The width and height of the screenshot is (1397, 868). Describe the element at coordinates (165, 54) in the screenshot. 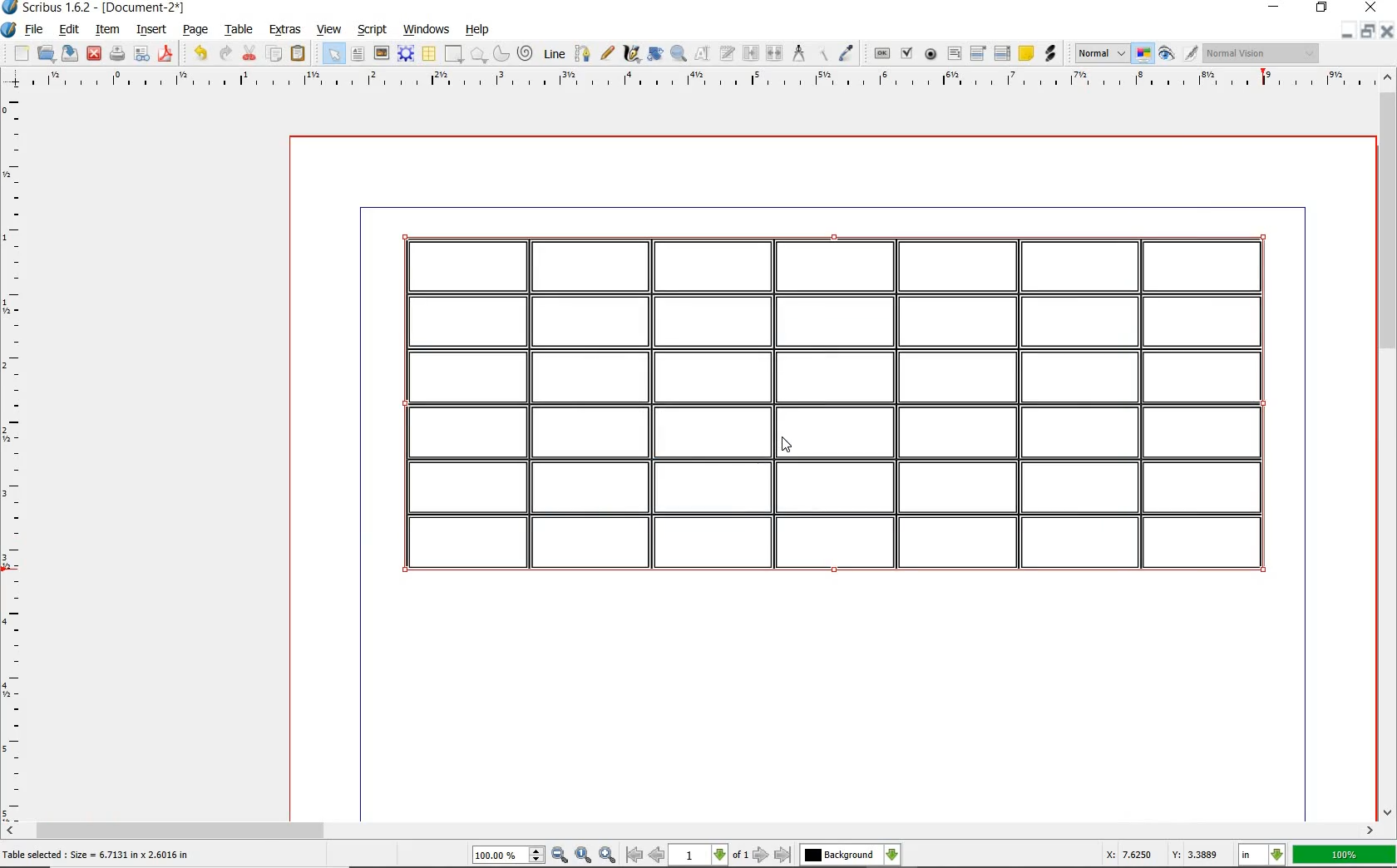

I see `safe as pdf` at that location.